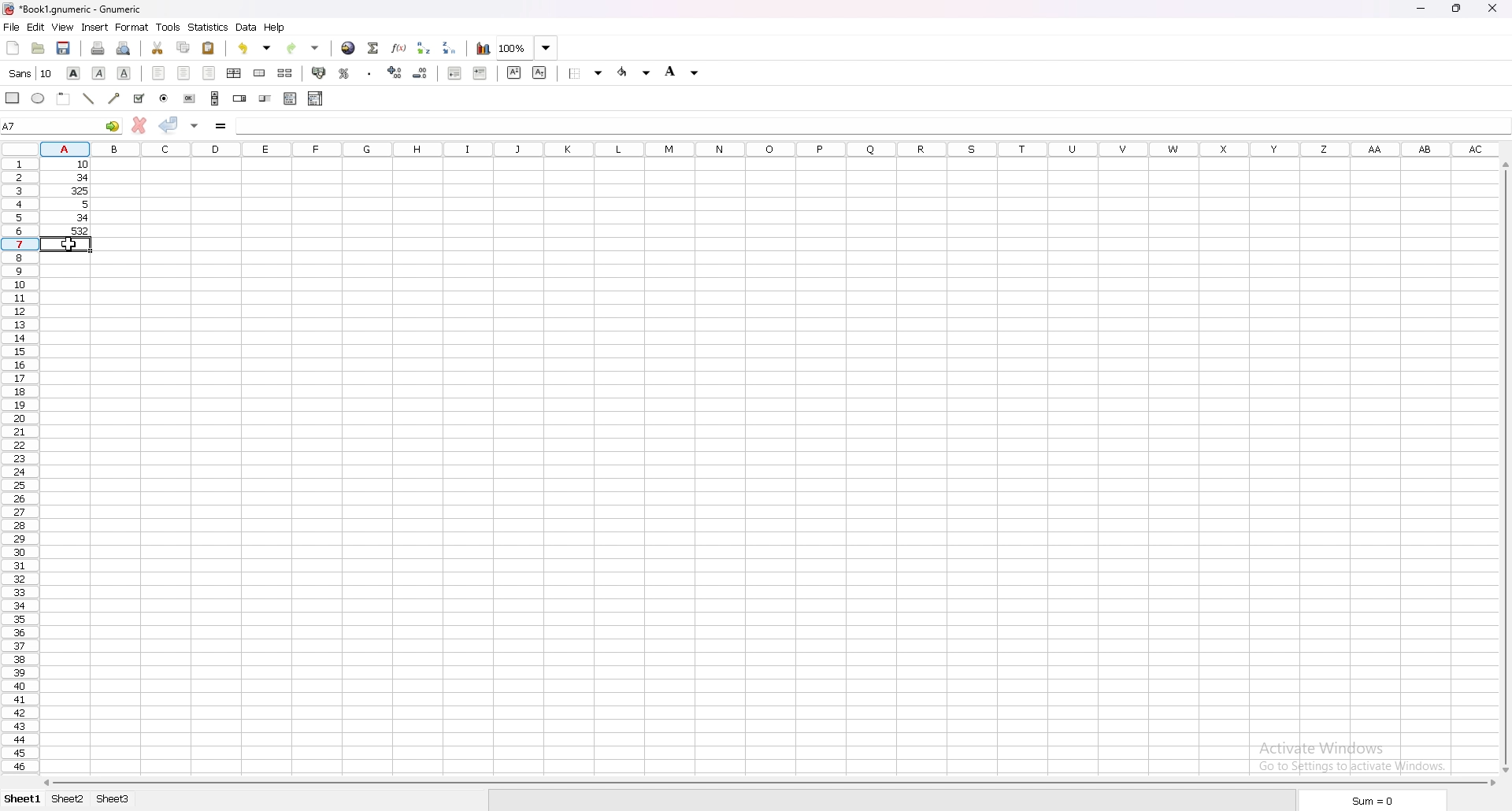  What do you see at coordinates (165, 98) in the screenshot?
I see `radio button` at bounding box center [165, 98].